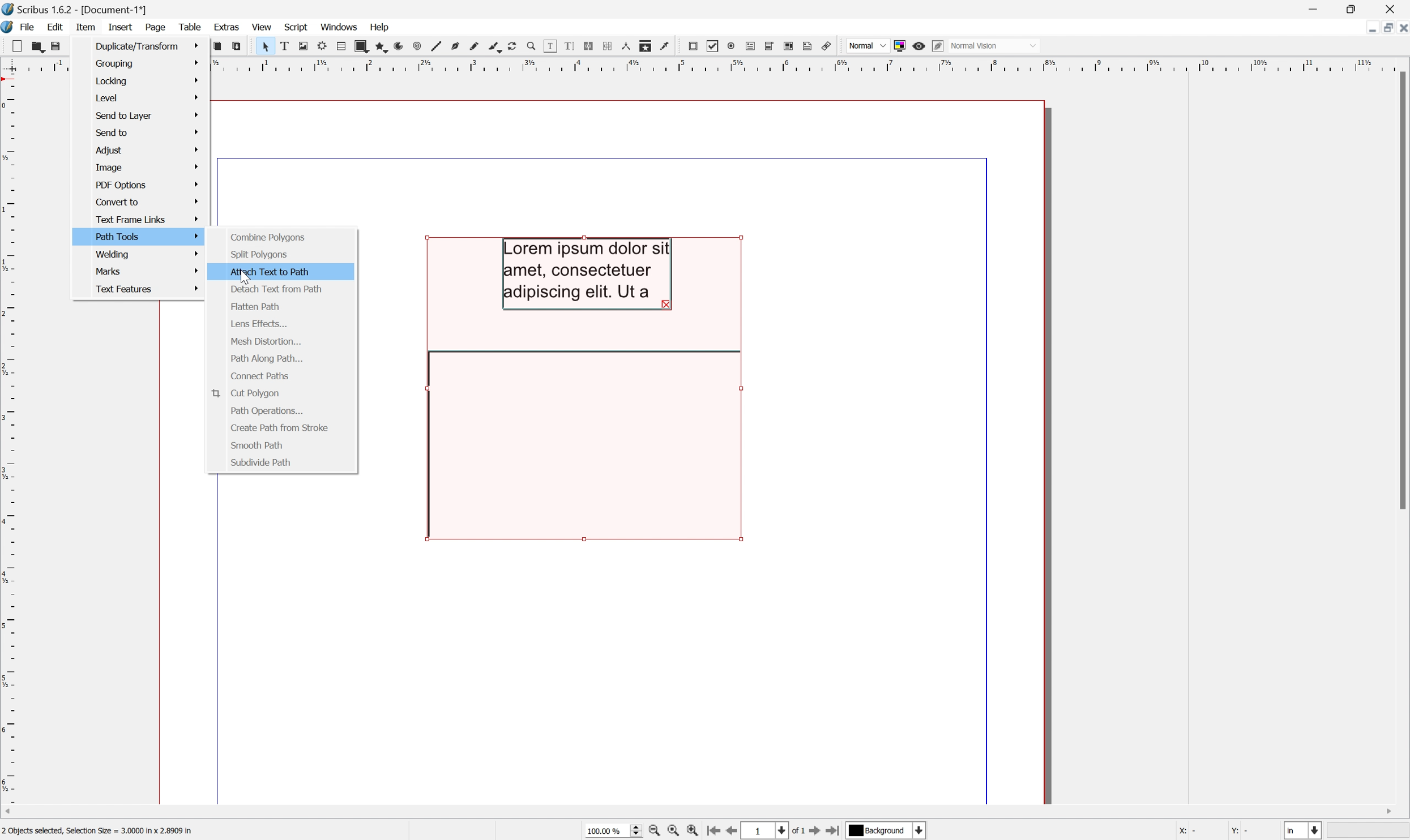  What do you see at coordinates (191, 28) in the screenshot?
I see `Table` at bounding box center [191, 28].